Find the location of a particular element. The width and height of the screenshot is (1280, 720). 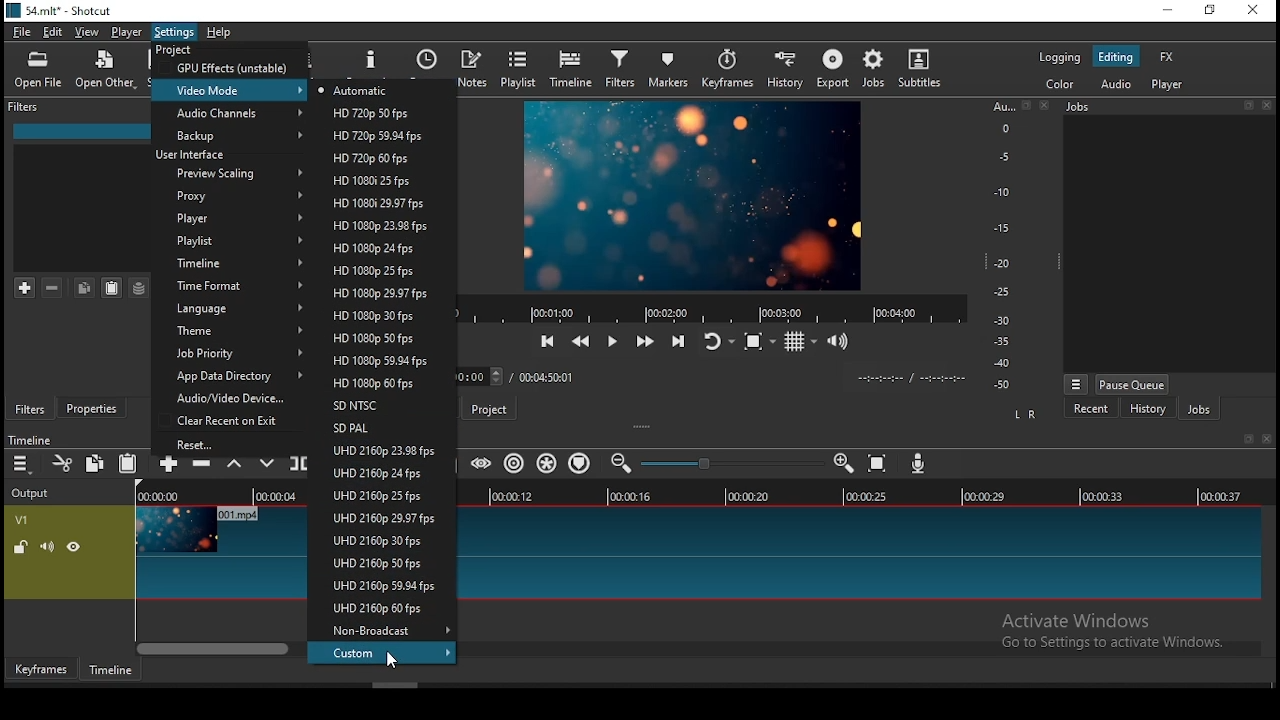

V1 is located at coordinates (20, 520).